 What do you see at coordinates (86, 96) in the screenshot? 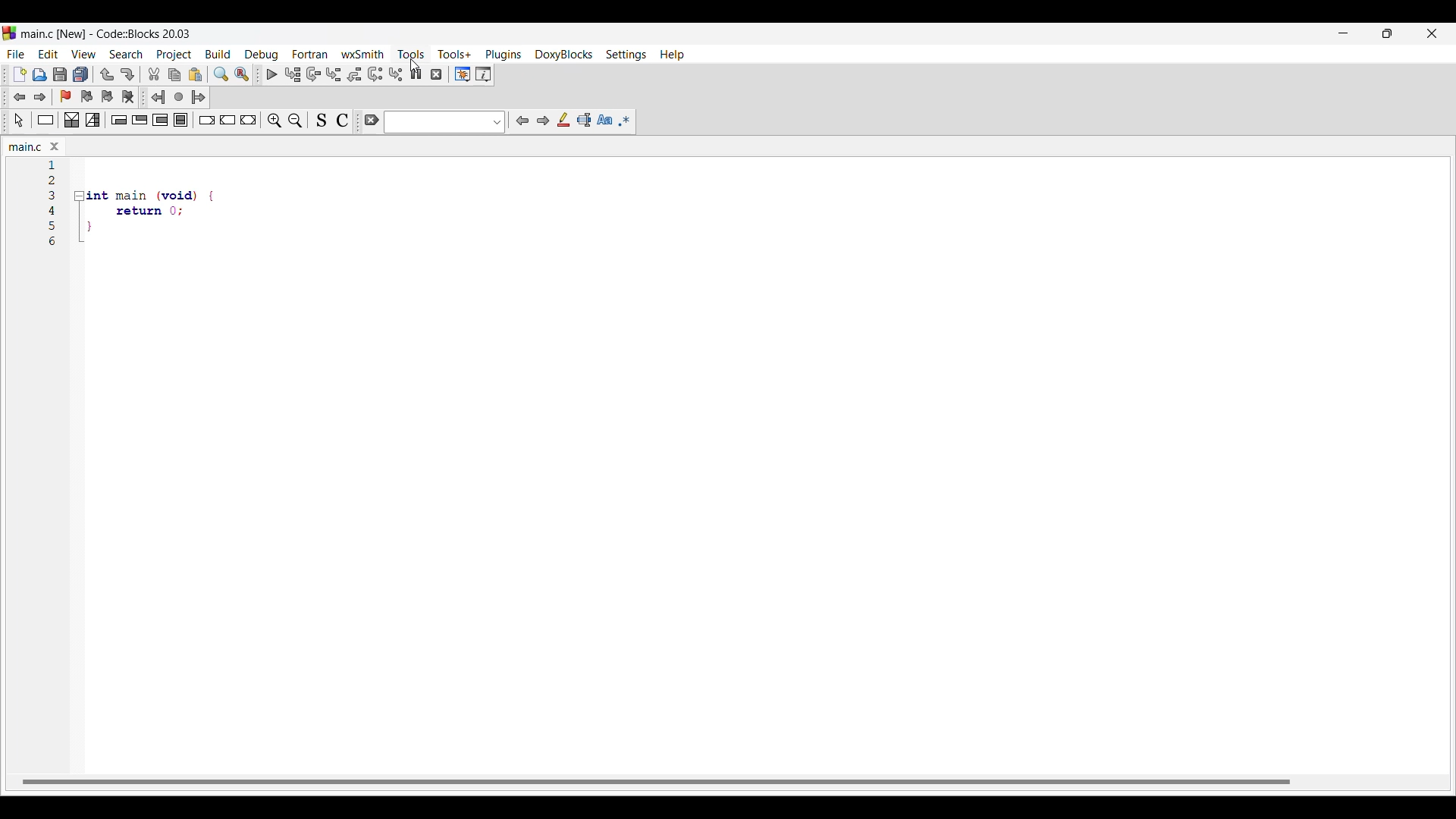
I see `Previous bookmark` at bounding box center [86, 96].